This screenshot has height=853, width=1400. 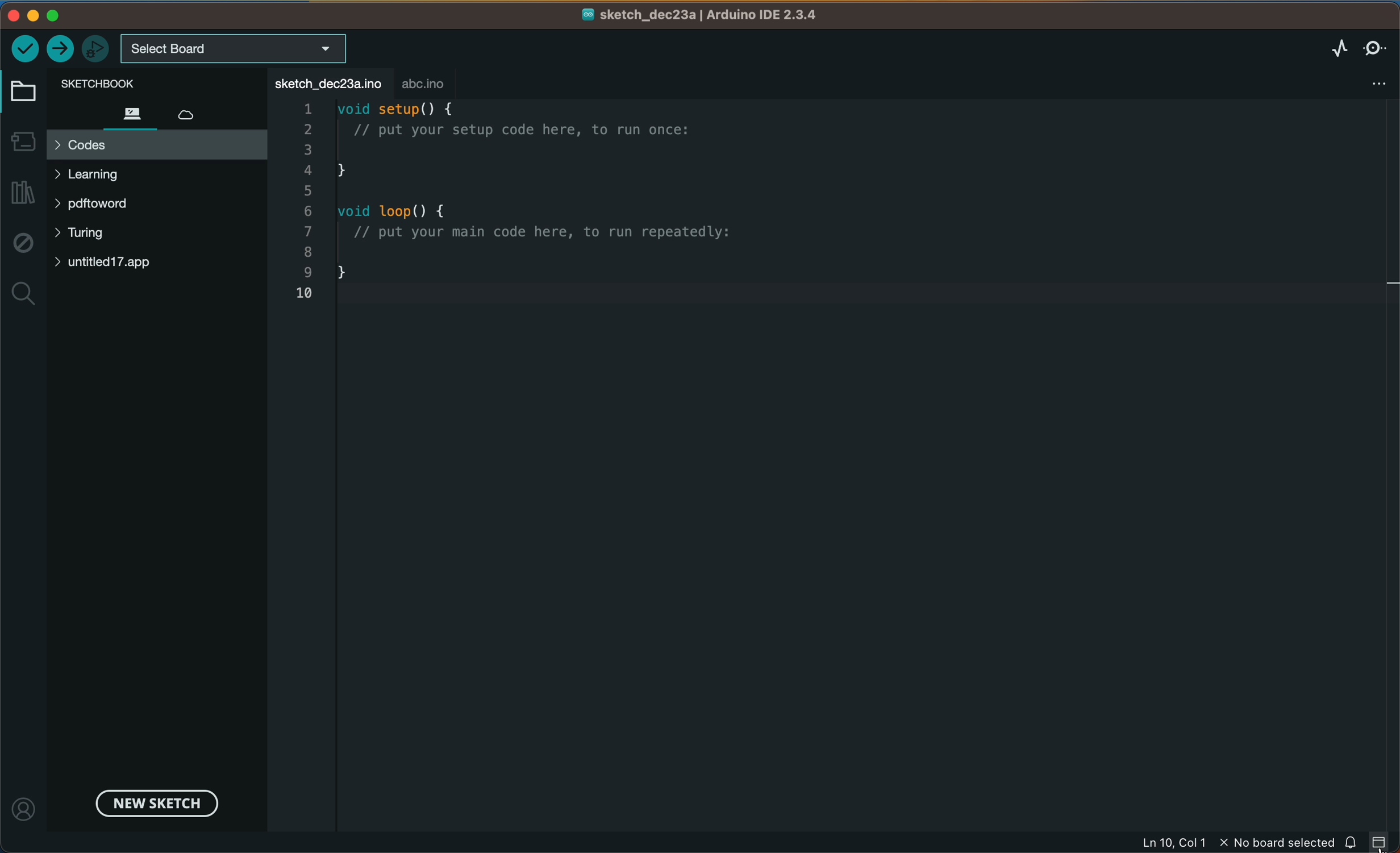 I want to click on file name, so click(x=699, y=14).